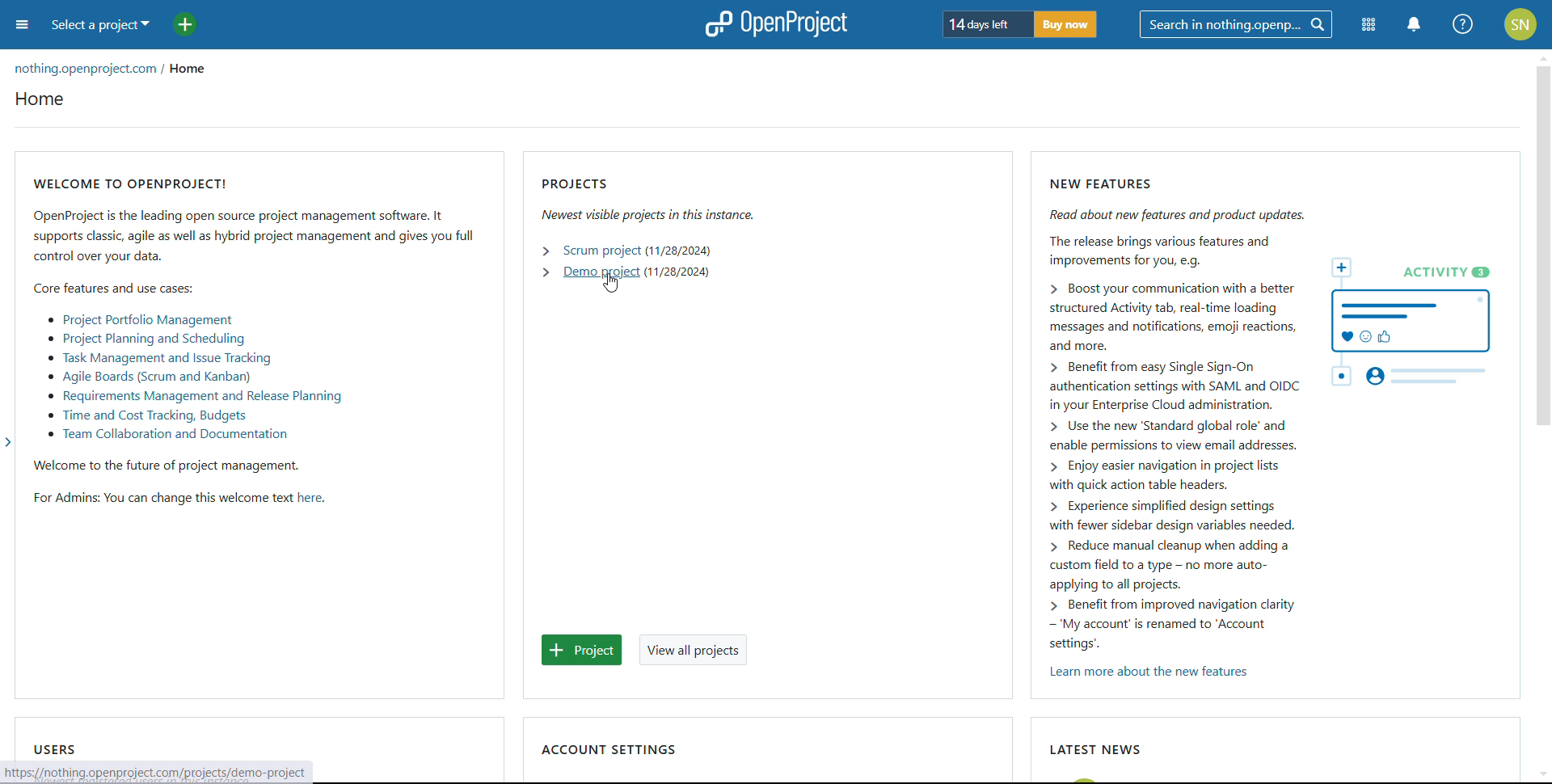  Describe the element at coordinates (584, 183) in the screenshot. I see `projects` at that location.